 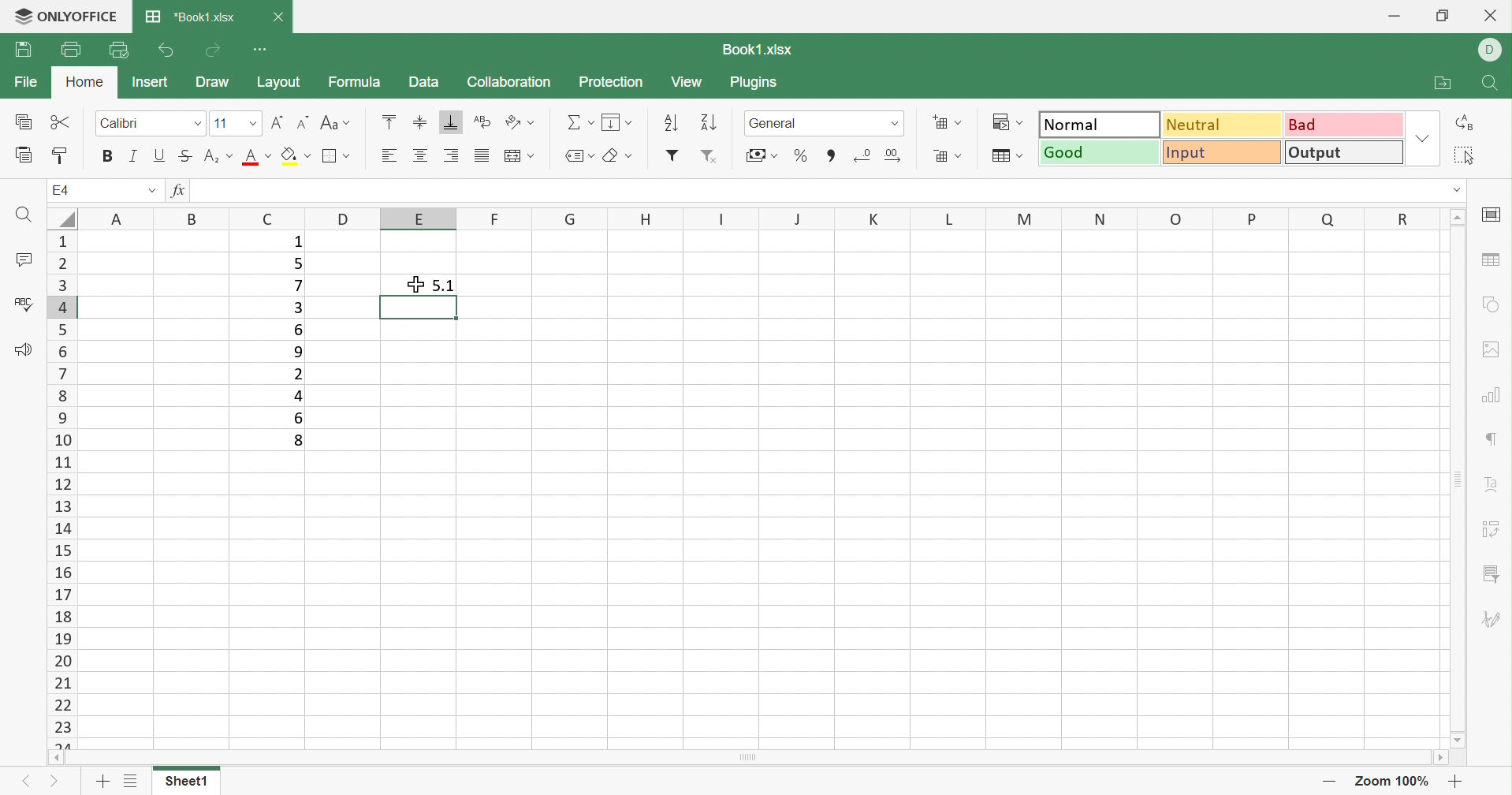 I want to click on Next, so click(x=56, y=782).